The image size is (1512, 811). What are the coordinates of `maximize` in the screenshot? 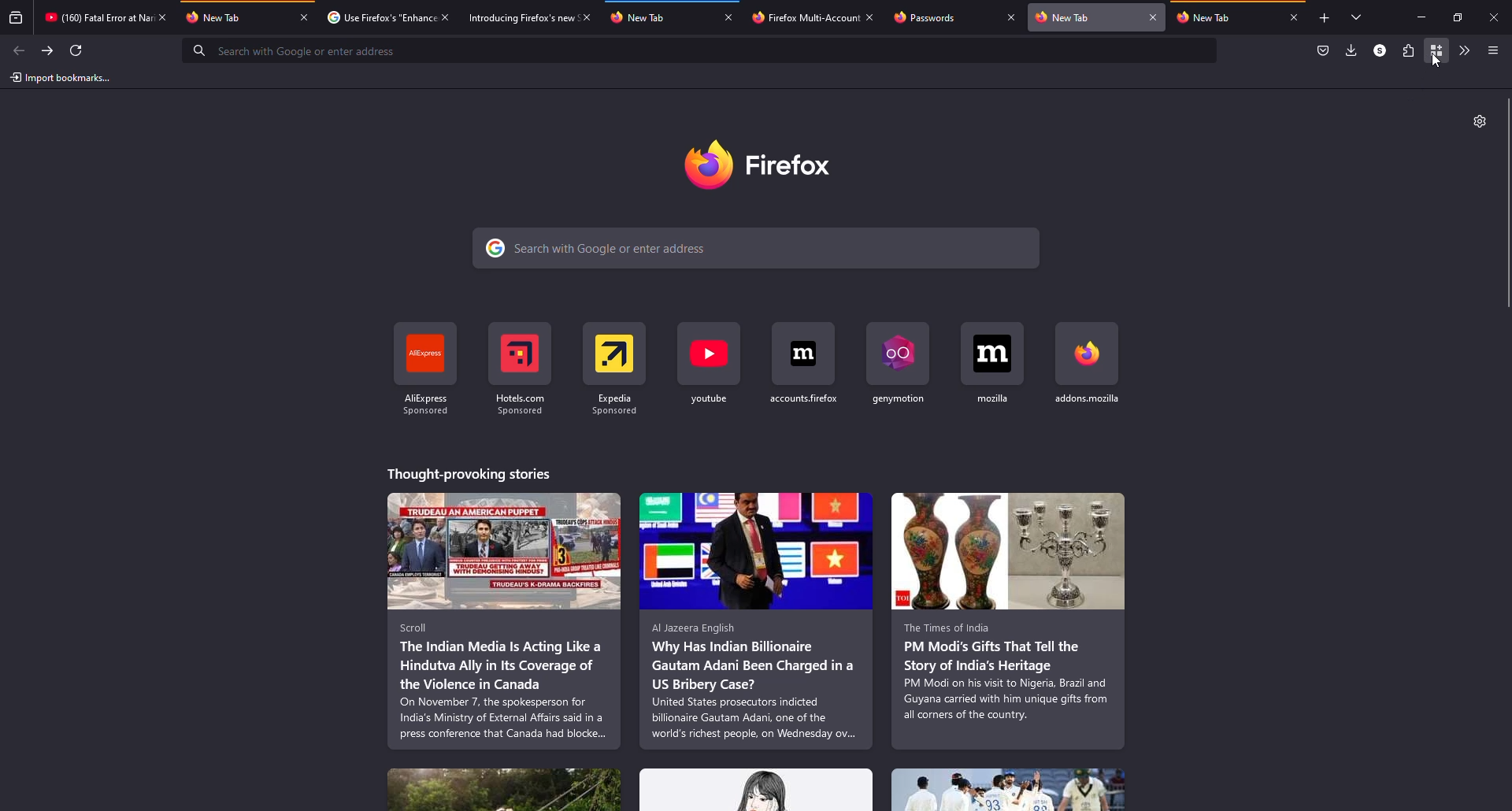 It's located at (1458, 17).